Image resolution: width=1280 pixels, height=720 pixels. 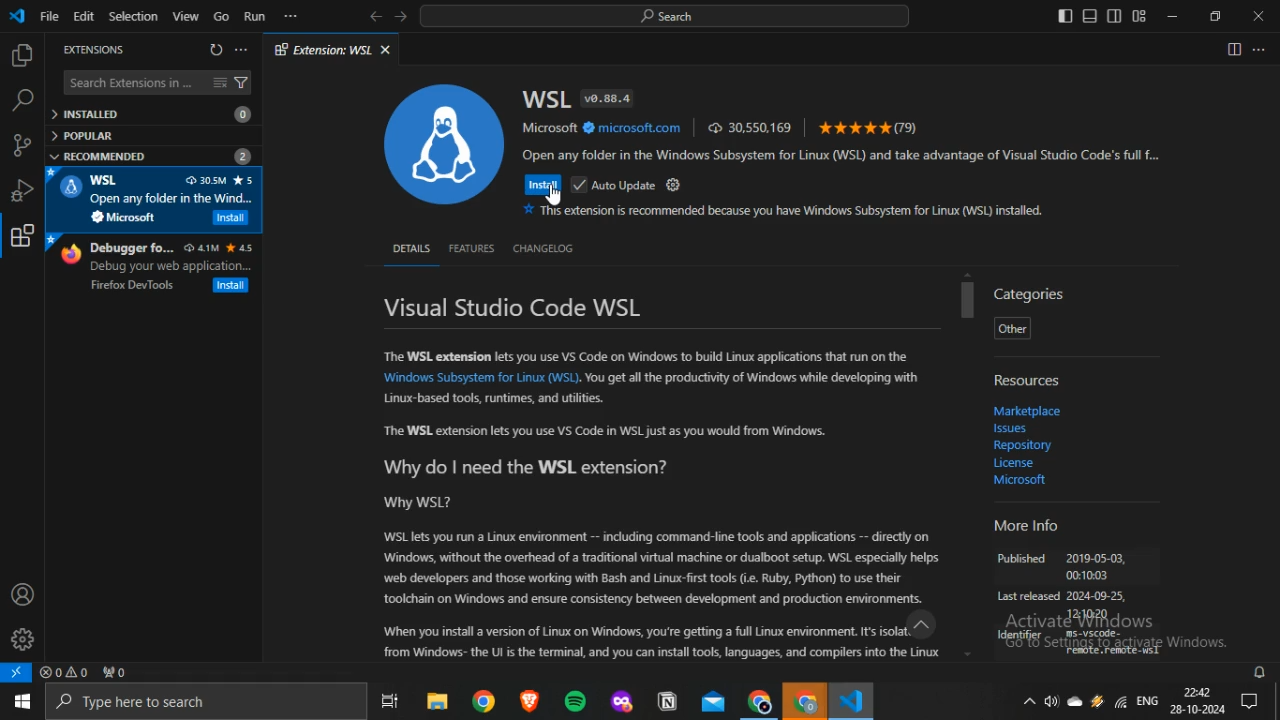 I want to click on run and debug, so click(x=22, y=191).